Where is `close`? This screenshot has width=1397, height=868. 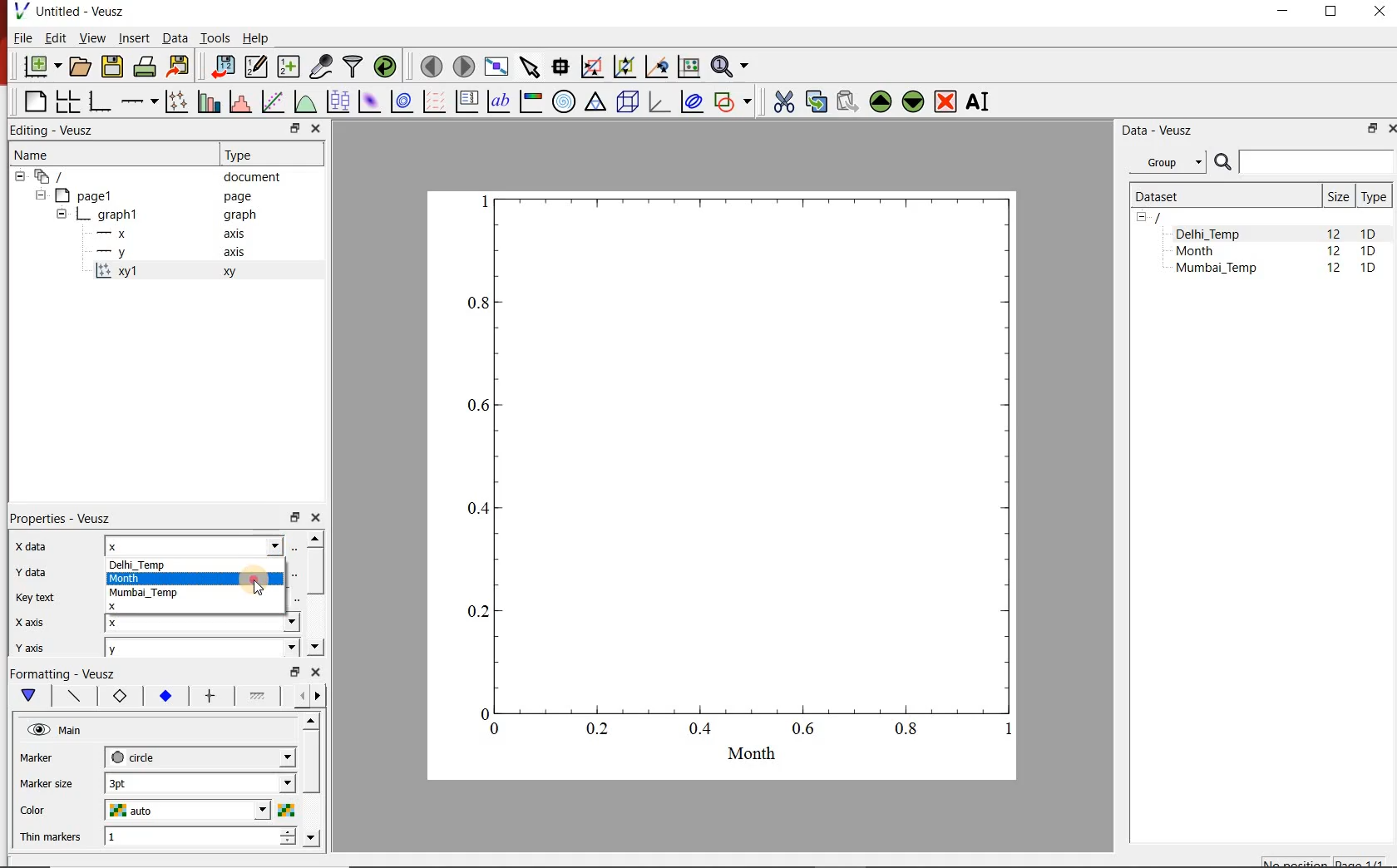
close is located at coordinates (314, 518).